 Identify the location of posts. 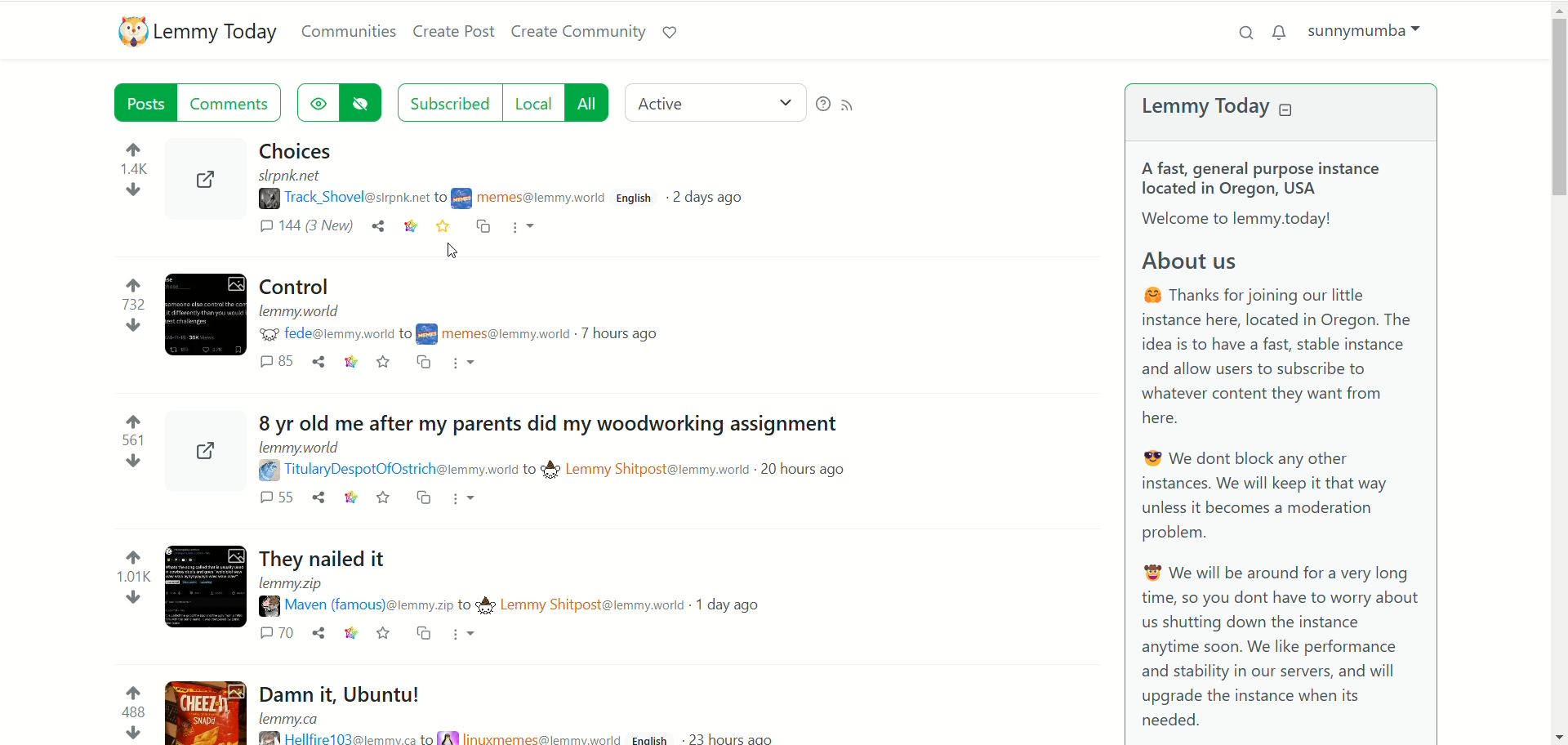
(145, 105).